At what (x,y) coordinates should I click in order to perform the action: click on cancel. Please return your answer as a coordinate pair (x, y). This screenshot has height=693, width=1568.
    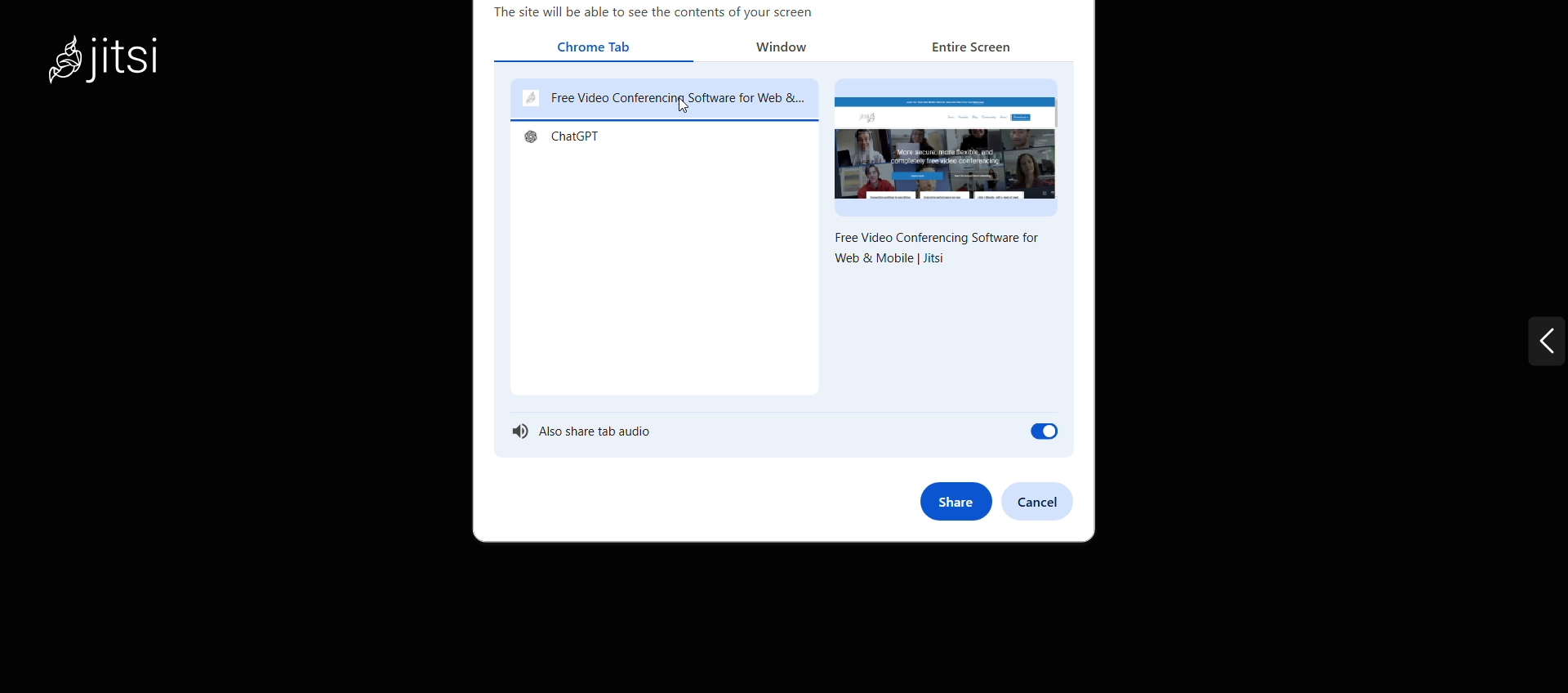
    Looking at the image, I should click on (1049, 501).